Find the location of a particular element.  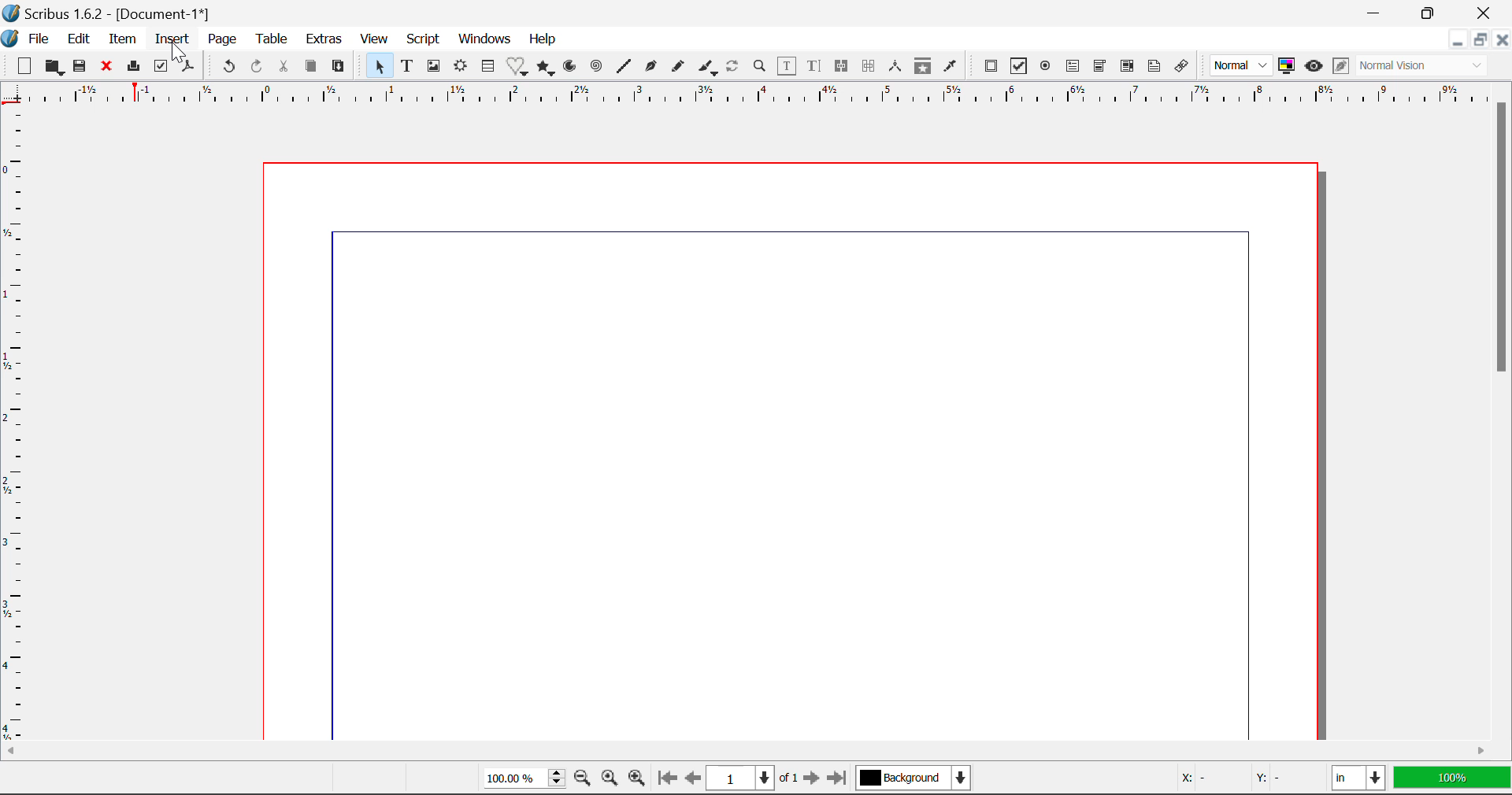

Image Frames is located at coordinates (433, 66).